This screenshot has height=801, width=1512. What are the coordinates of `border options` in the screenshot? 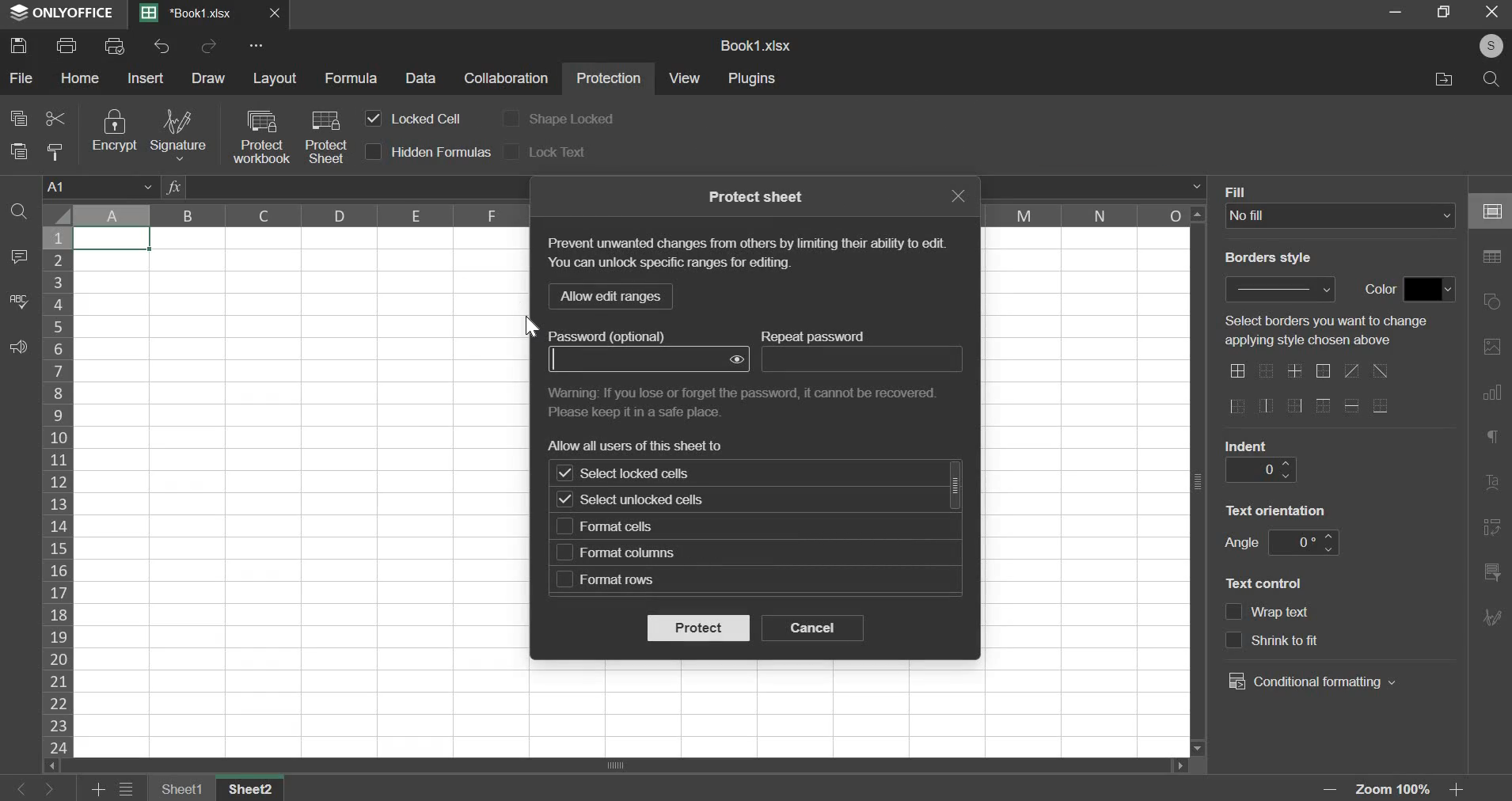 It's located at (1237, 407).